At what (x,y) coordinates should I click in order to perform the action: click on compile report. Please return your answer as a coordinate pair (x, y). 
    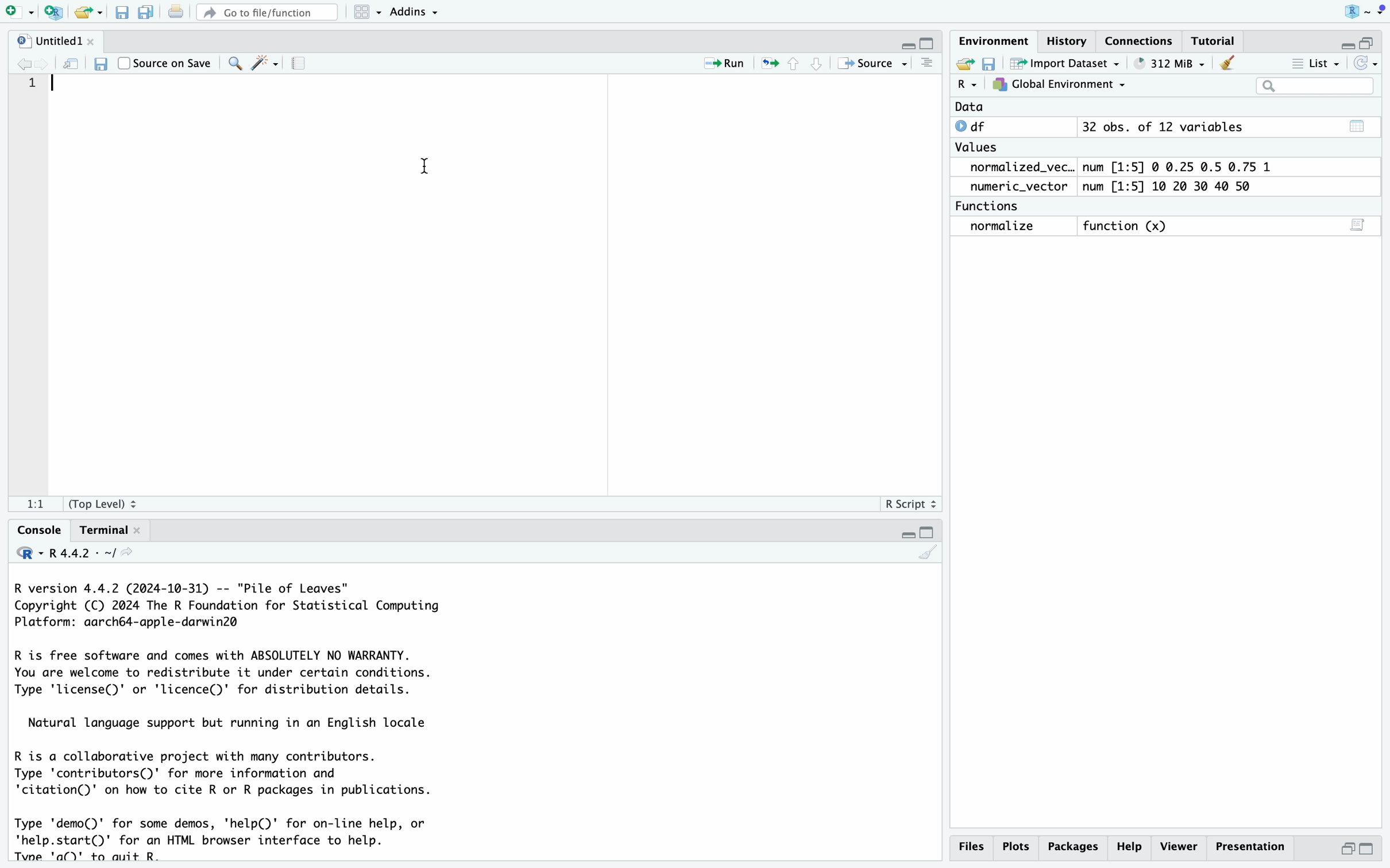
    Looking at the image, I should click on (305, 65).